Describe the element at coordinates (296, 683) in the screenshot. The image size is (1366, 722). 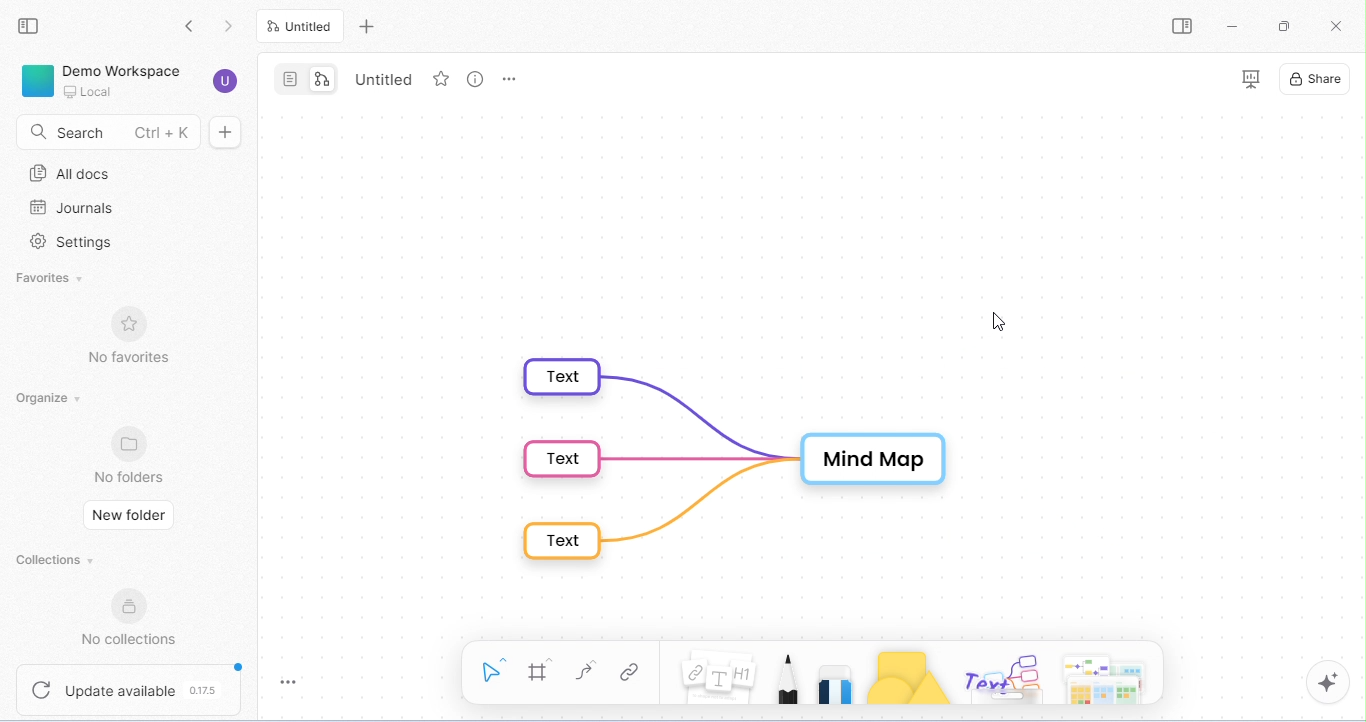
I see `toggle zoom` at that location.